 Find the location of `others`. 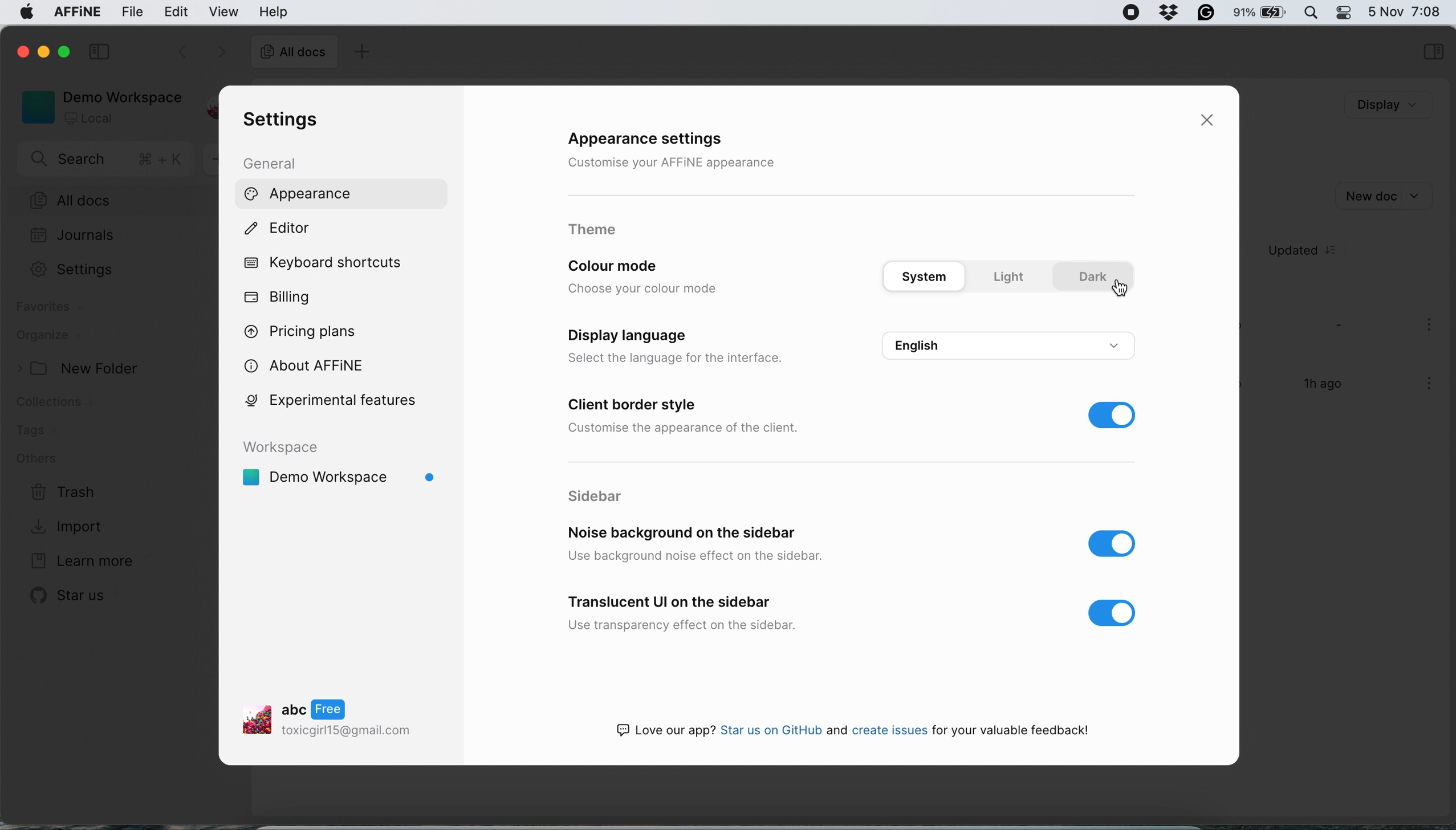

others is located at coordinates (46, 458).